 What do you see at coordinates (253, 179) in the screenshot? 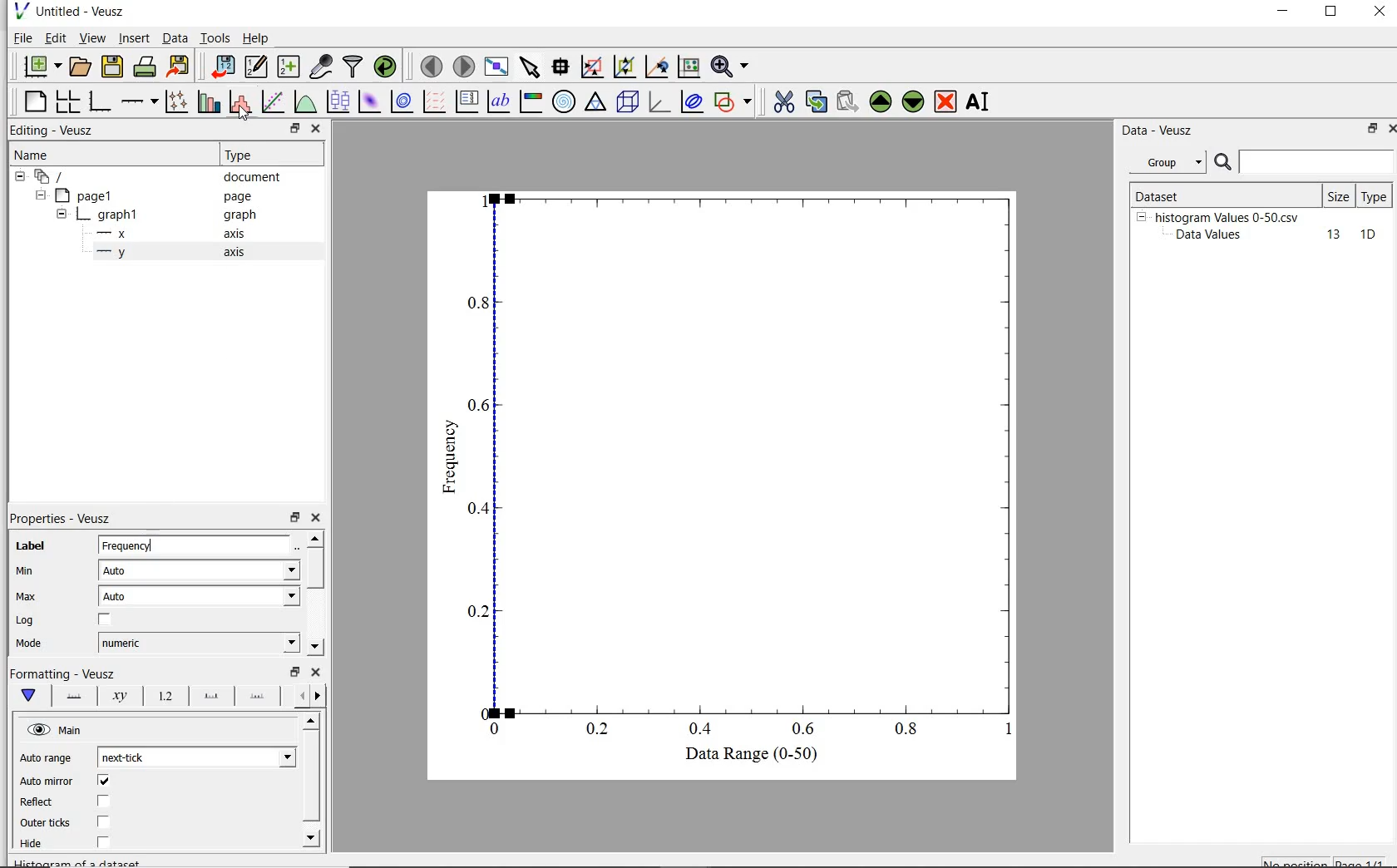
I see `document` at bounding box center [253, 179].